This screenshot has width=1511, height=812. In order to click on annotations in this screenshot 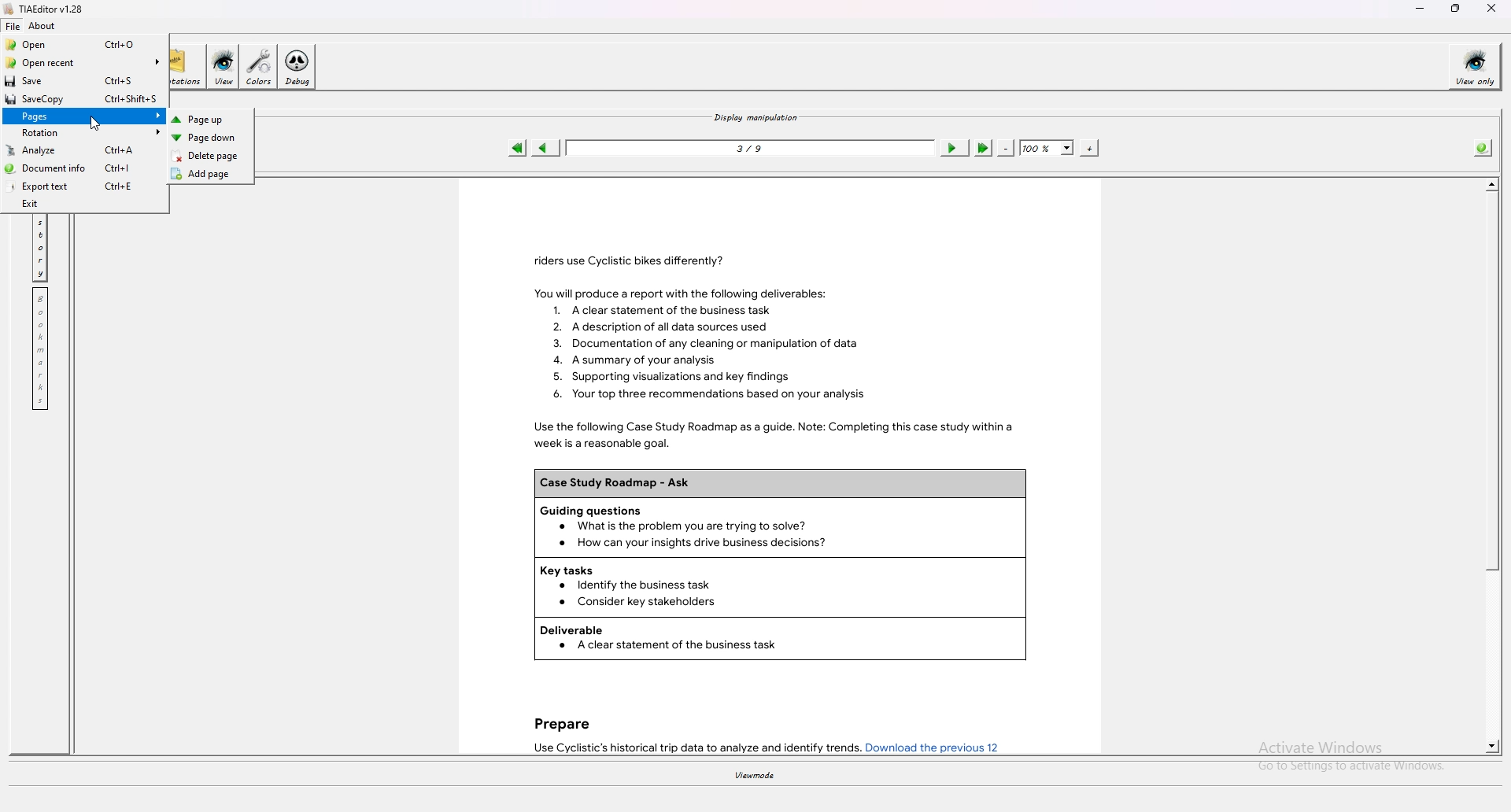, I will do `click(187, 66)`.